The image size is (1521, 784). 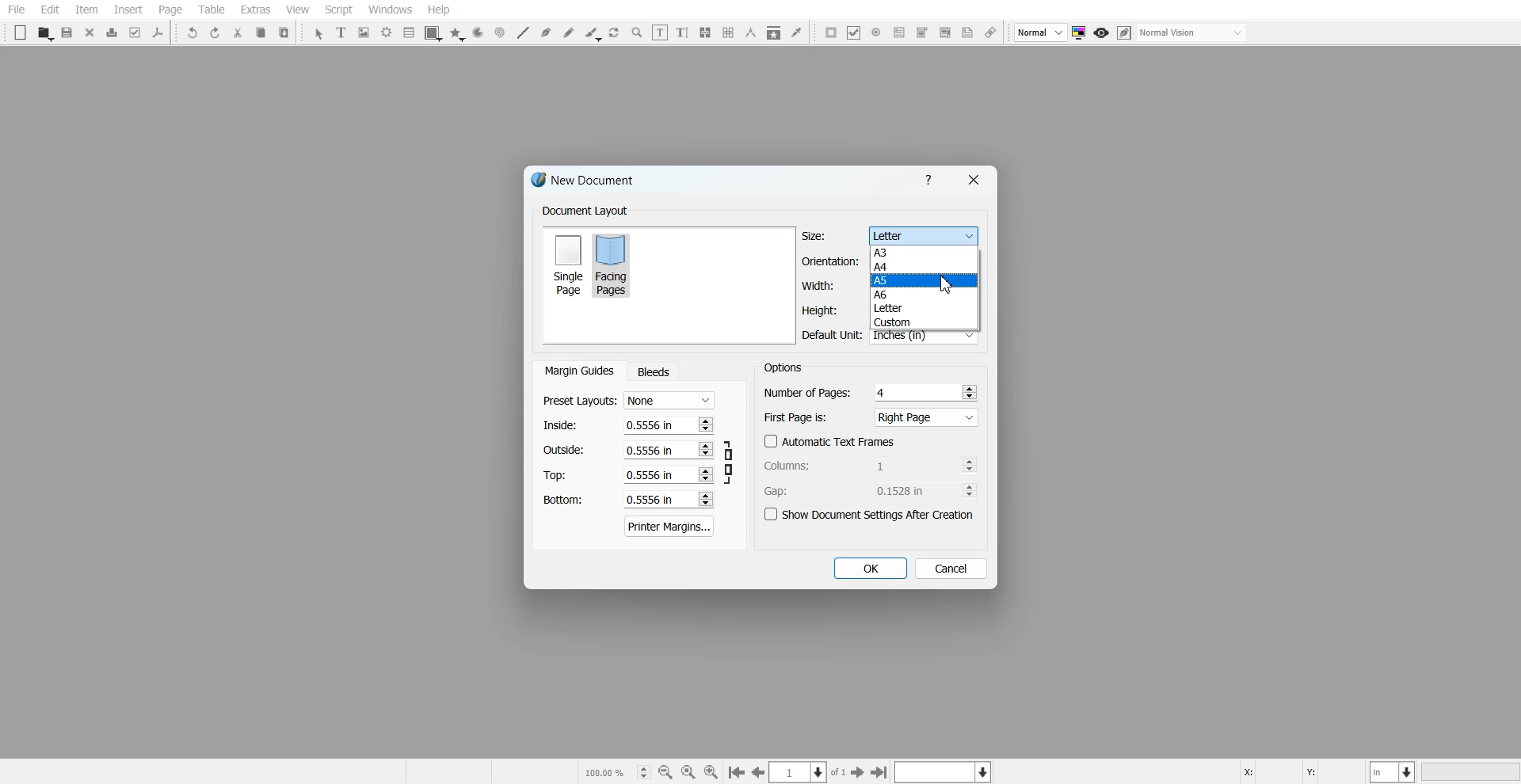 What do you see at coordinates (342, 32) in the screenshot?
I see `Text Frame` at bounding box center [342, 32].